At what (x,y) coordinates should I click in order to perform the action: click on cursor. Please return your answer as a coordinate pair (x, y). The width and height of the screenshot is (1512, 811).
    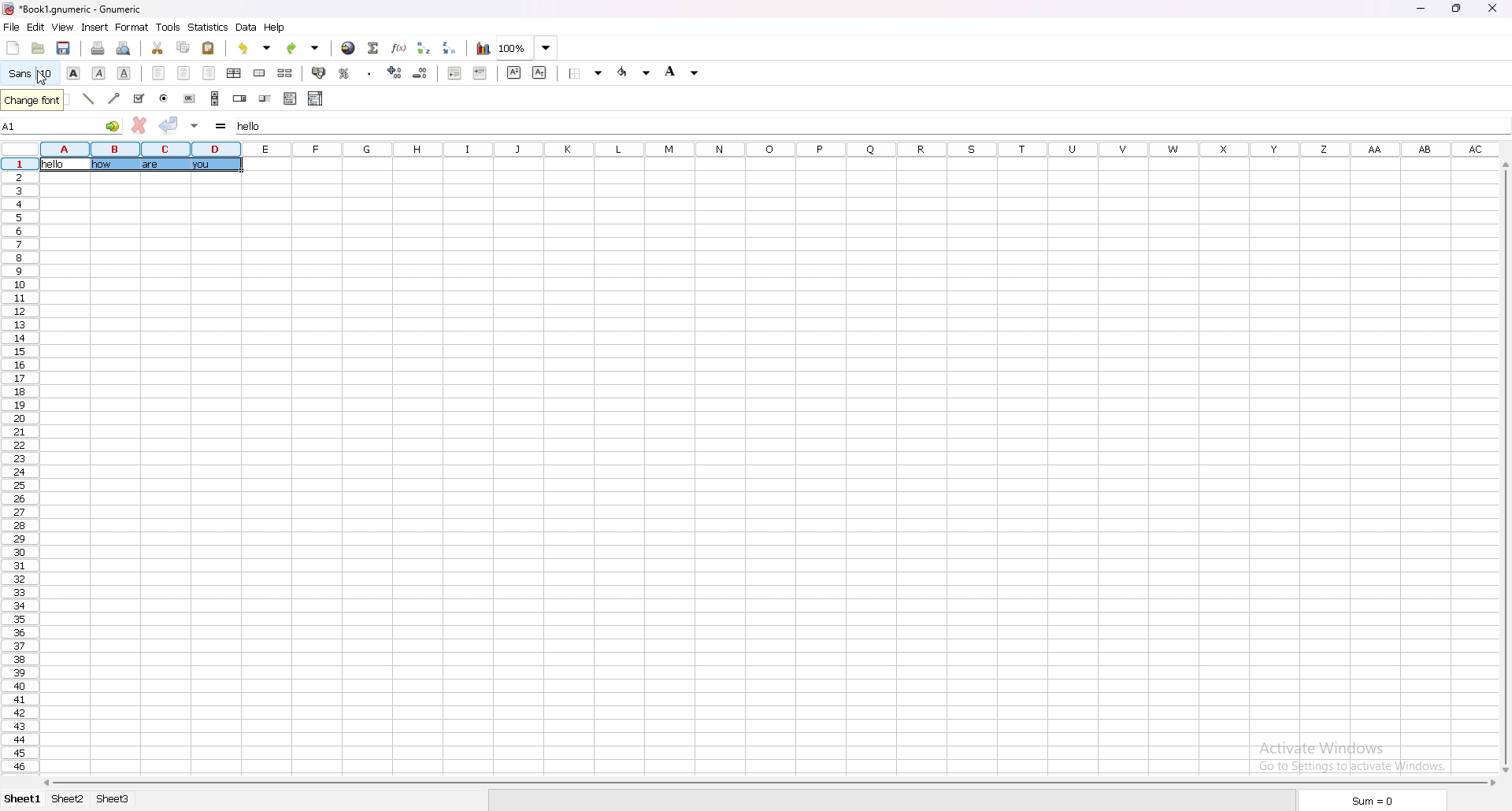
    Looking at the image, I should click on (43, 78).